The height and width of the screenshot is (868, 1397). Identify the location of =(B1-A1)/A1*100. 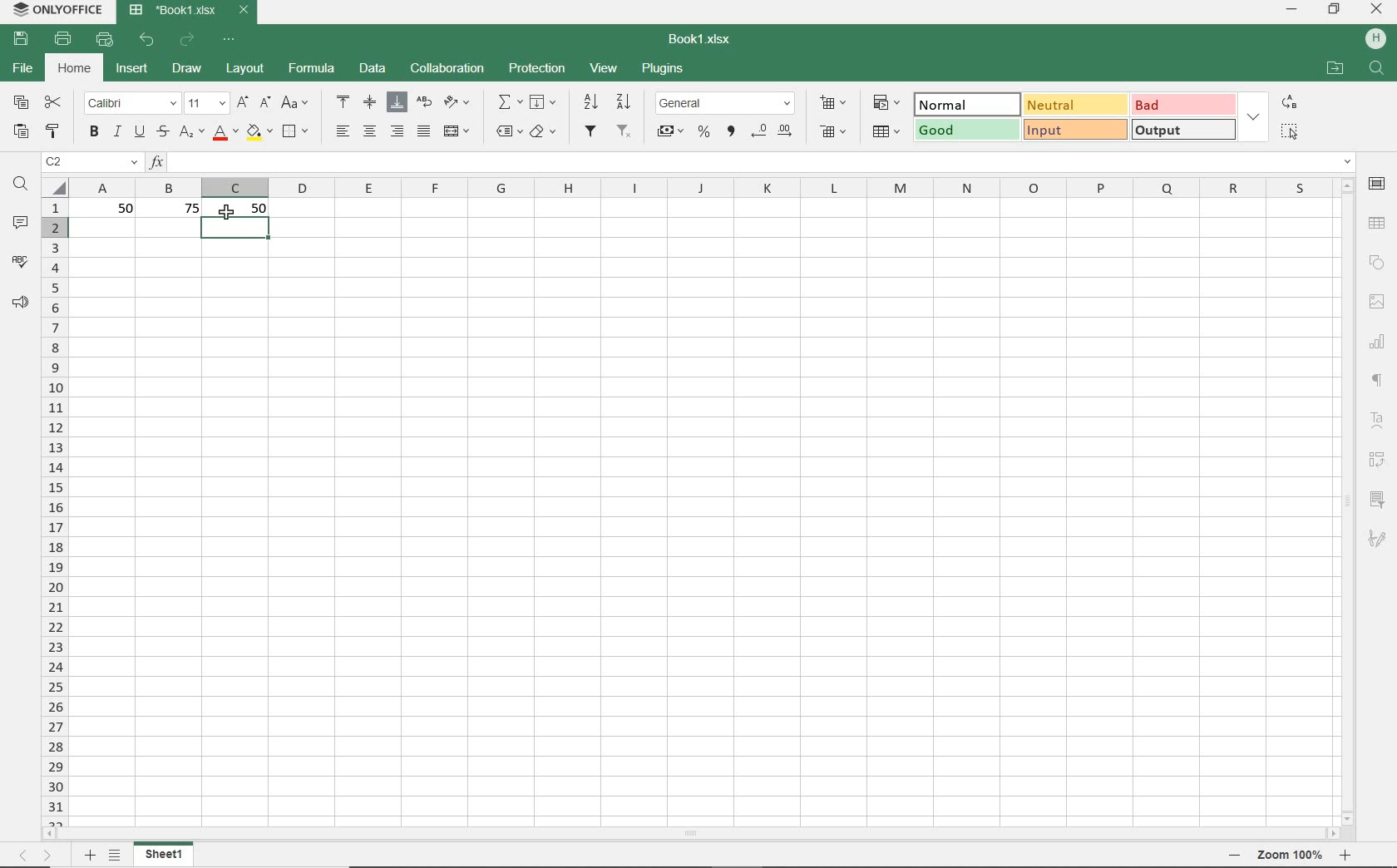
(763, 161).